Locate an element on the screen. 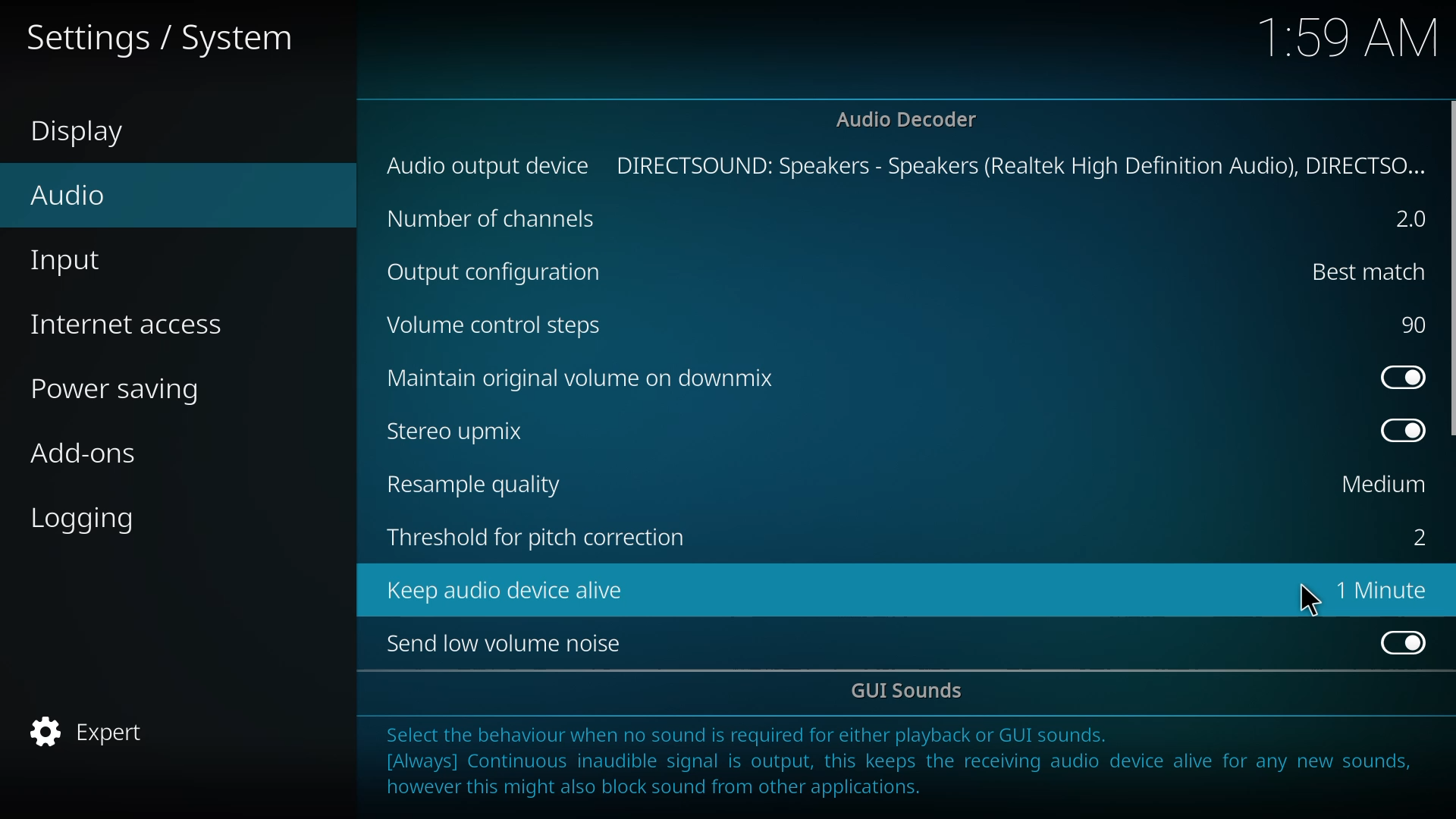 The image size is (1456, 819). 1 minute is located at coordinates (1386, 589).